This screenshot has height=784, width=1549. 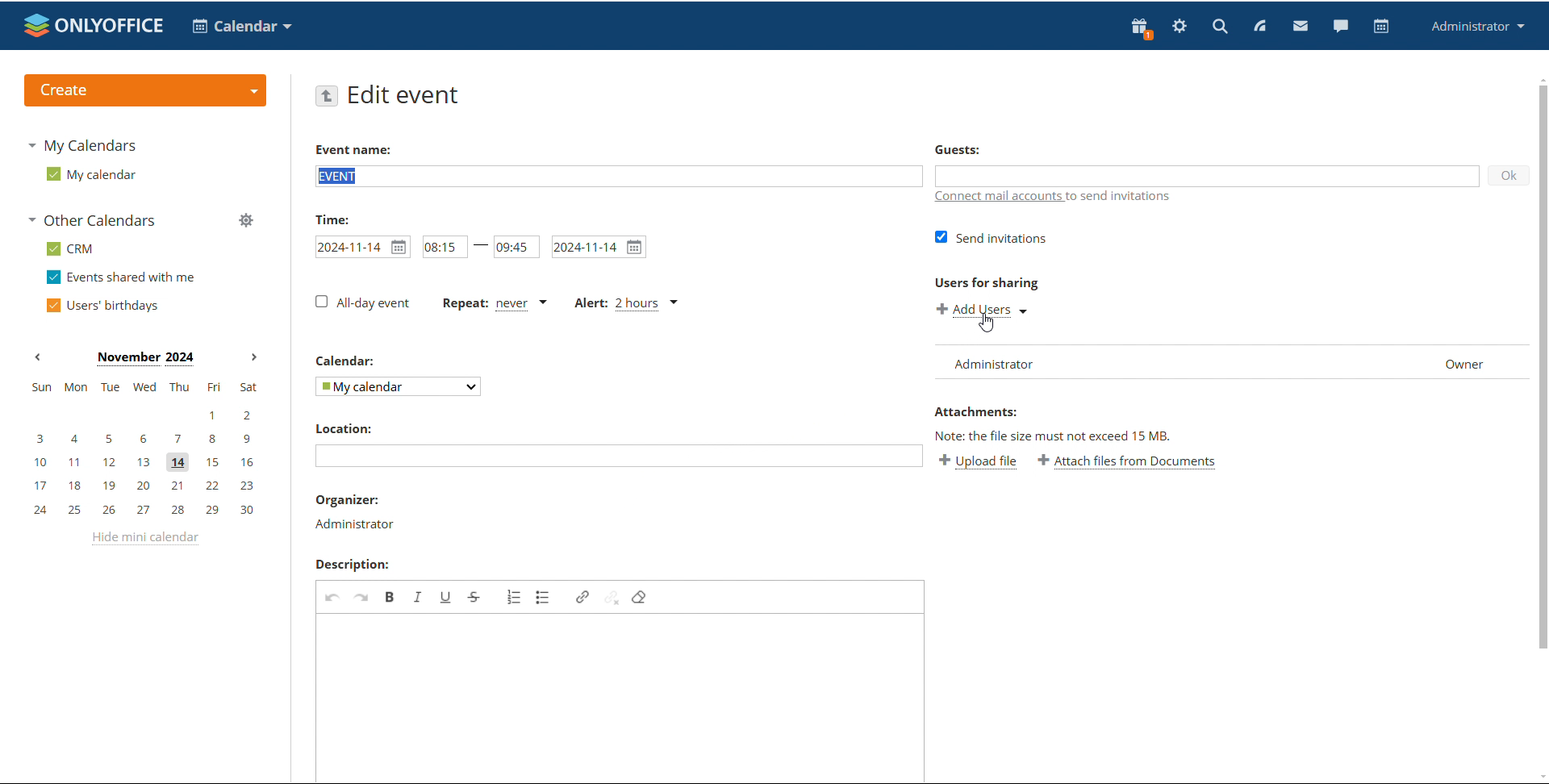 I want to click on add guests, so click(x=1205, y=174).